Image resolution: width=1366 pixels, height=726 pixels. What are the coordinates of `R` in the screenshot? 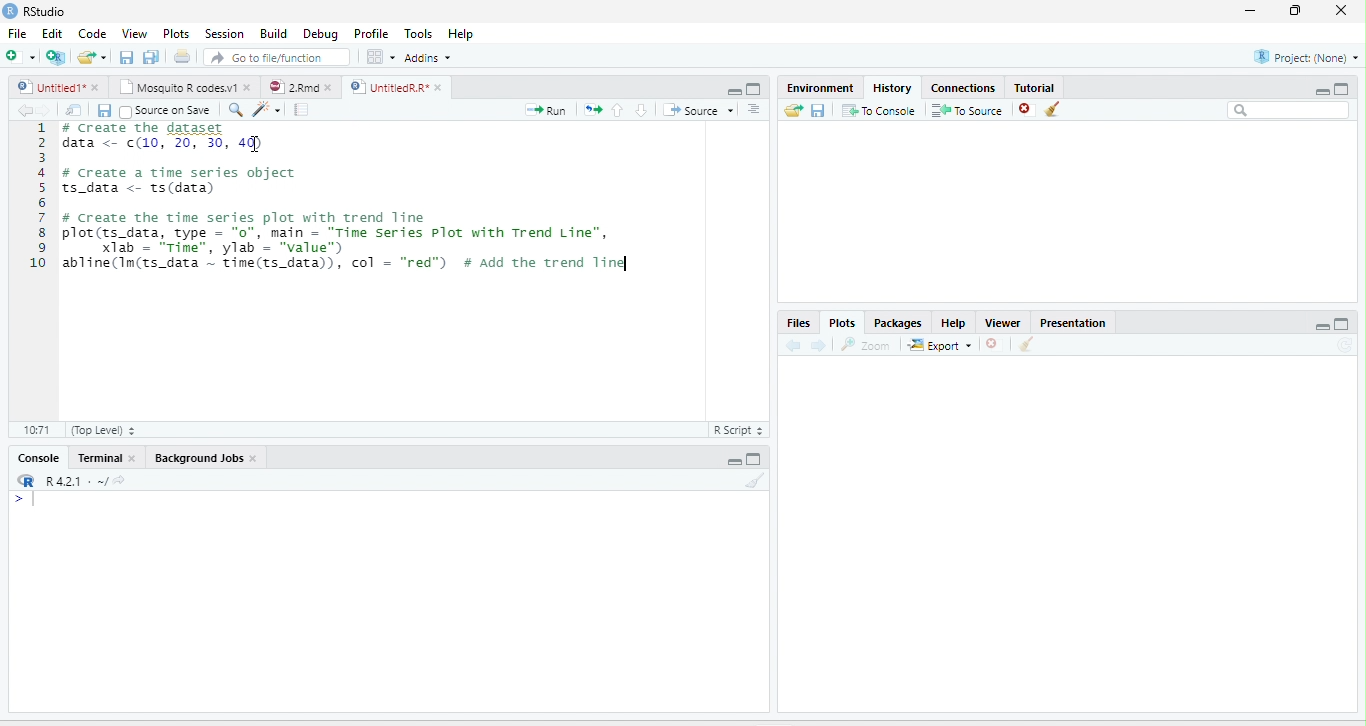 It's located at (27, 480).